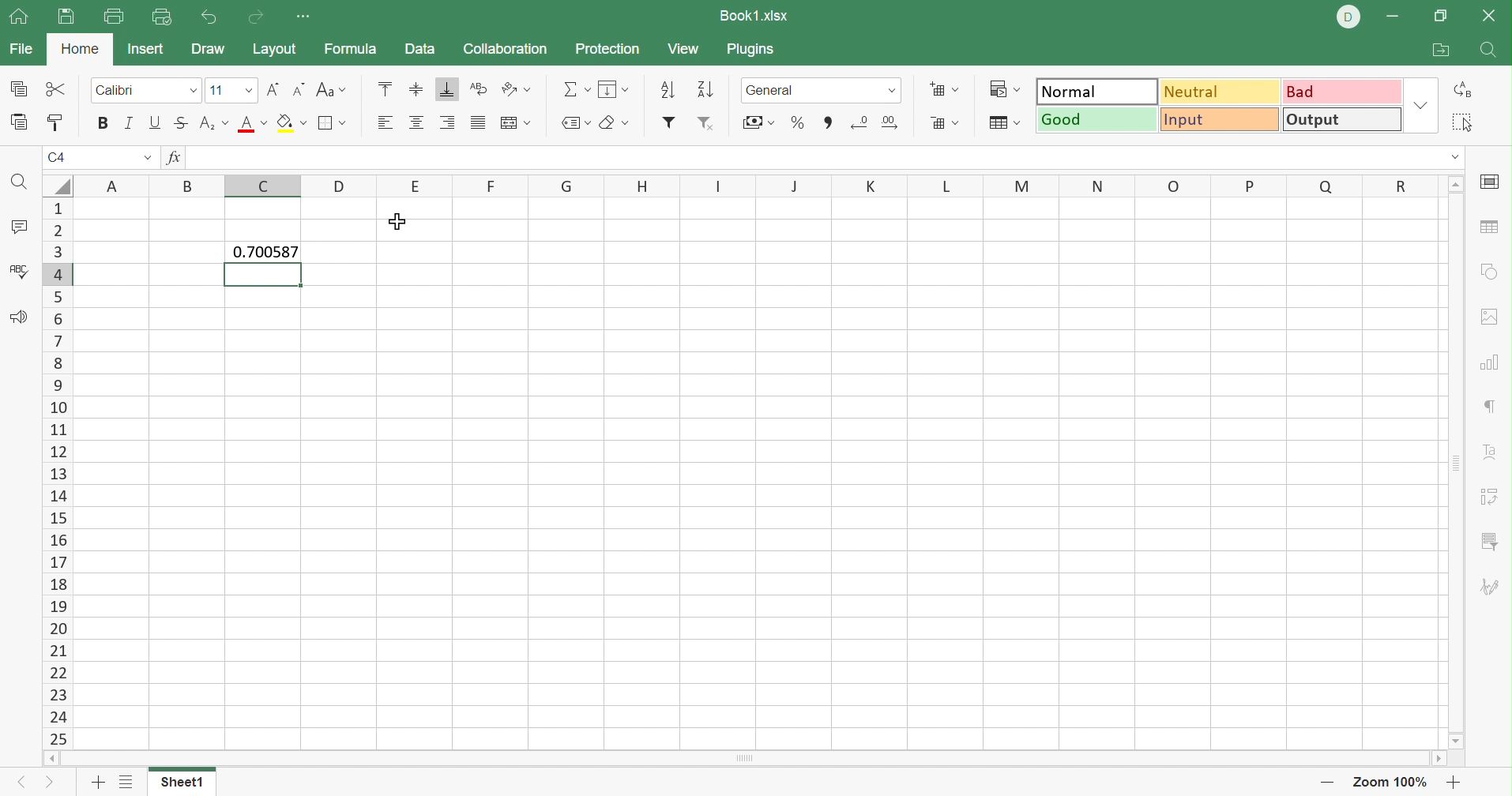 Image resolution: width=1512 pixels, height=796 pixels. Describe the element at coordinates (449, 88) in the screenshot. I see `Align bottom` at that location.